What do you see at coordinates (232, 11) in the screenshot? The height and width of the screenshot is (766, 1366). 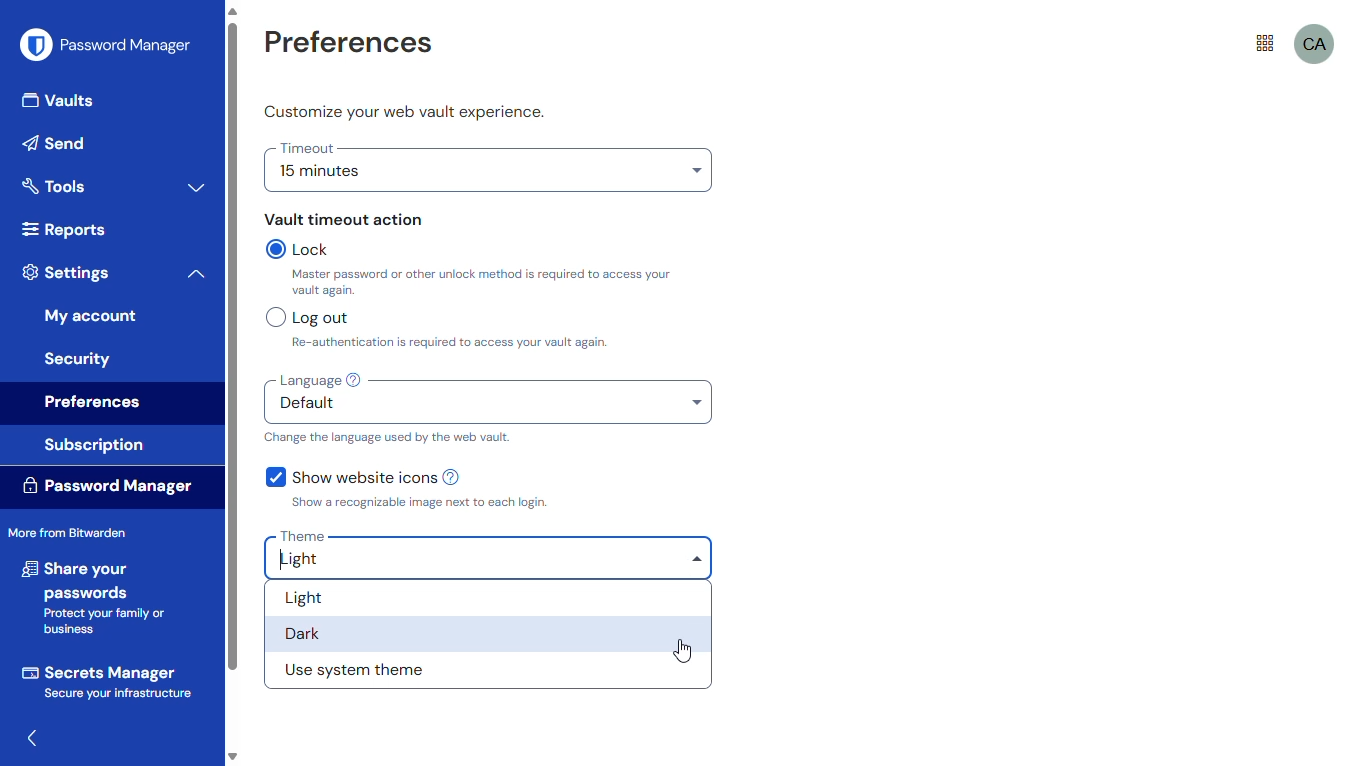 I see `scroll up` at bounding box center [232, 11].